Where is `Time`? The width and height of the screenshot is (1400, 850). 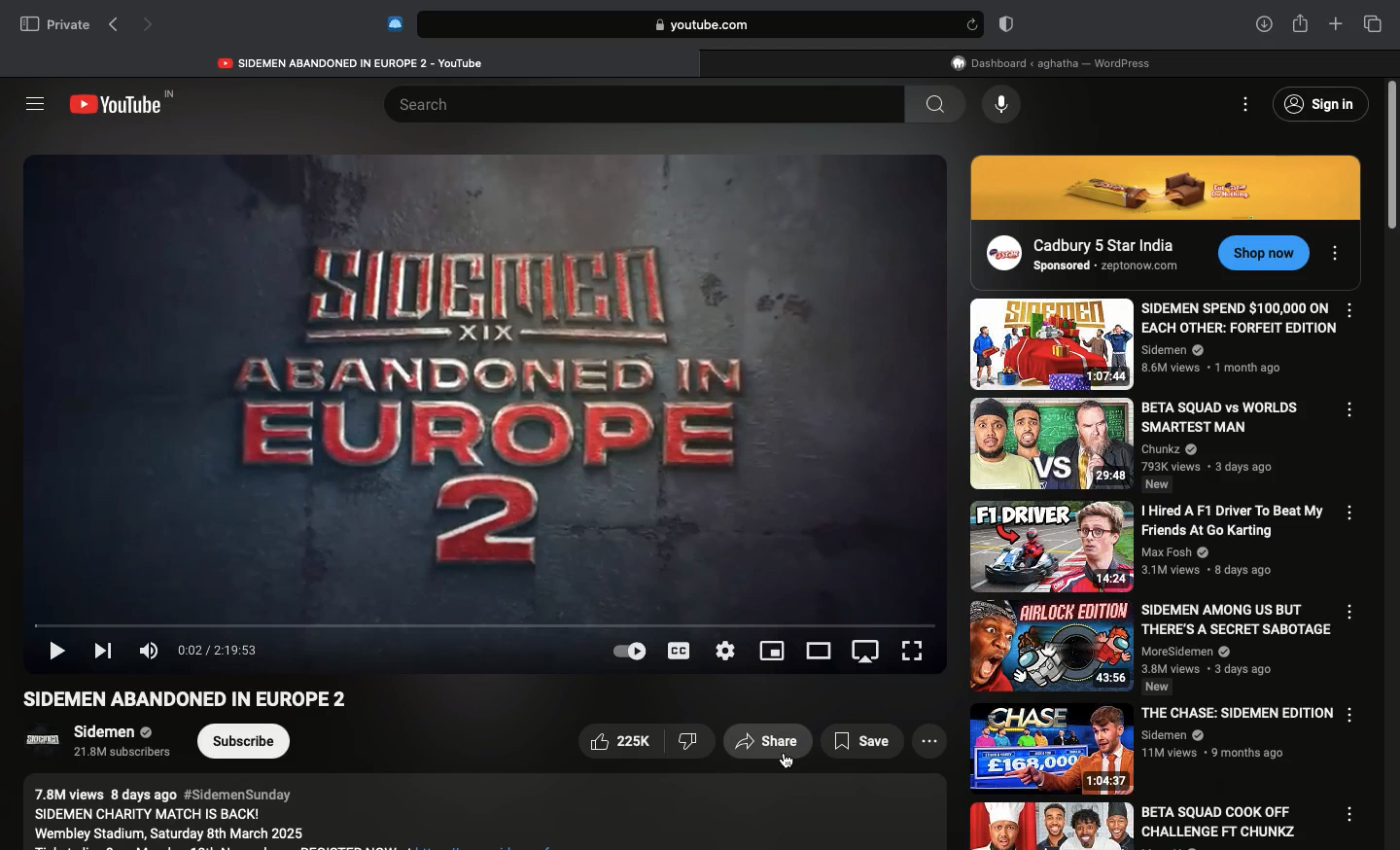 Time is located at coordinates (218, 651).